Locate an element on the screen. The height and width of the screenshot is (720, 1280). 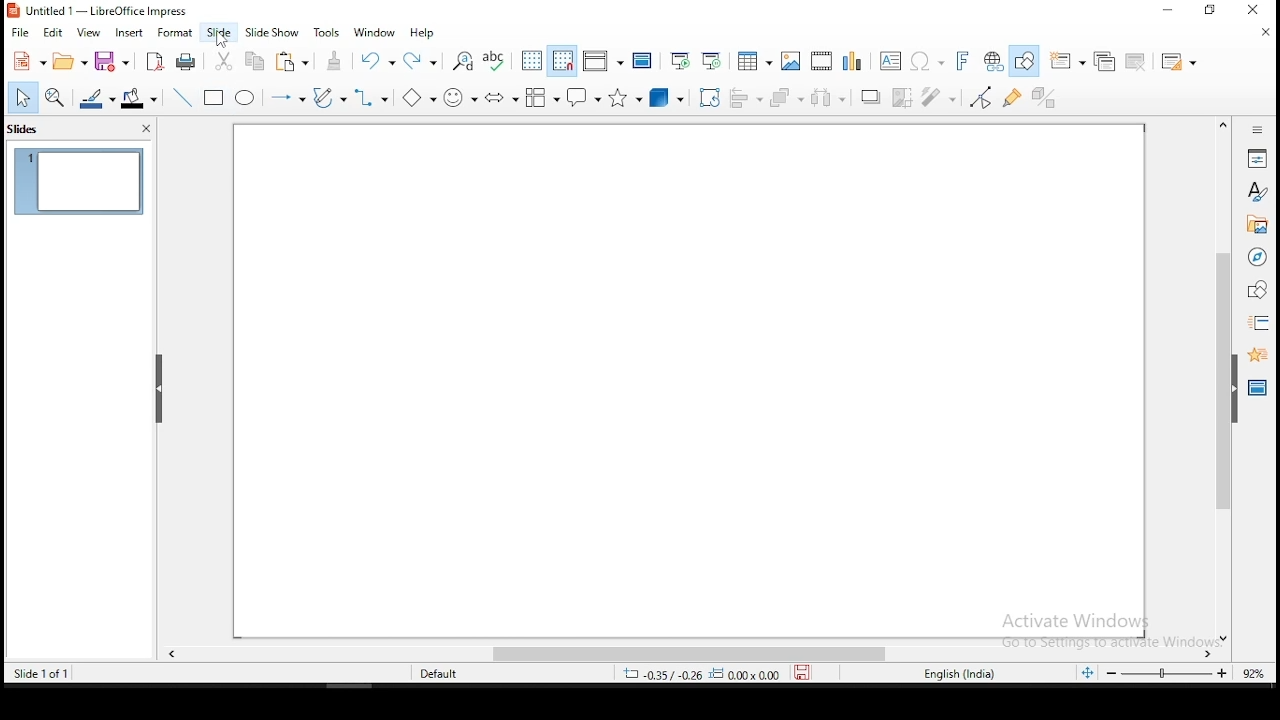
fit to slide is located at coordinates (1087, 673).